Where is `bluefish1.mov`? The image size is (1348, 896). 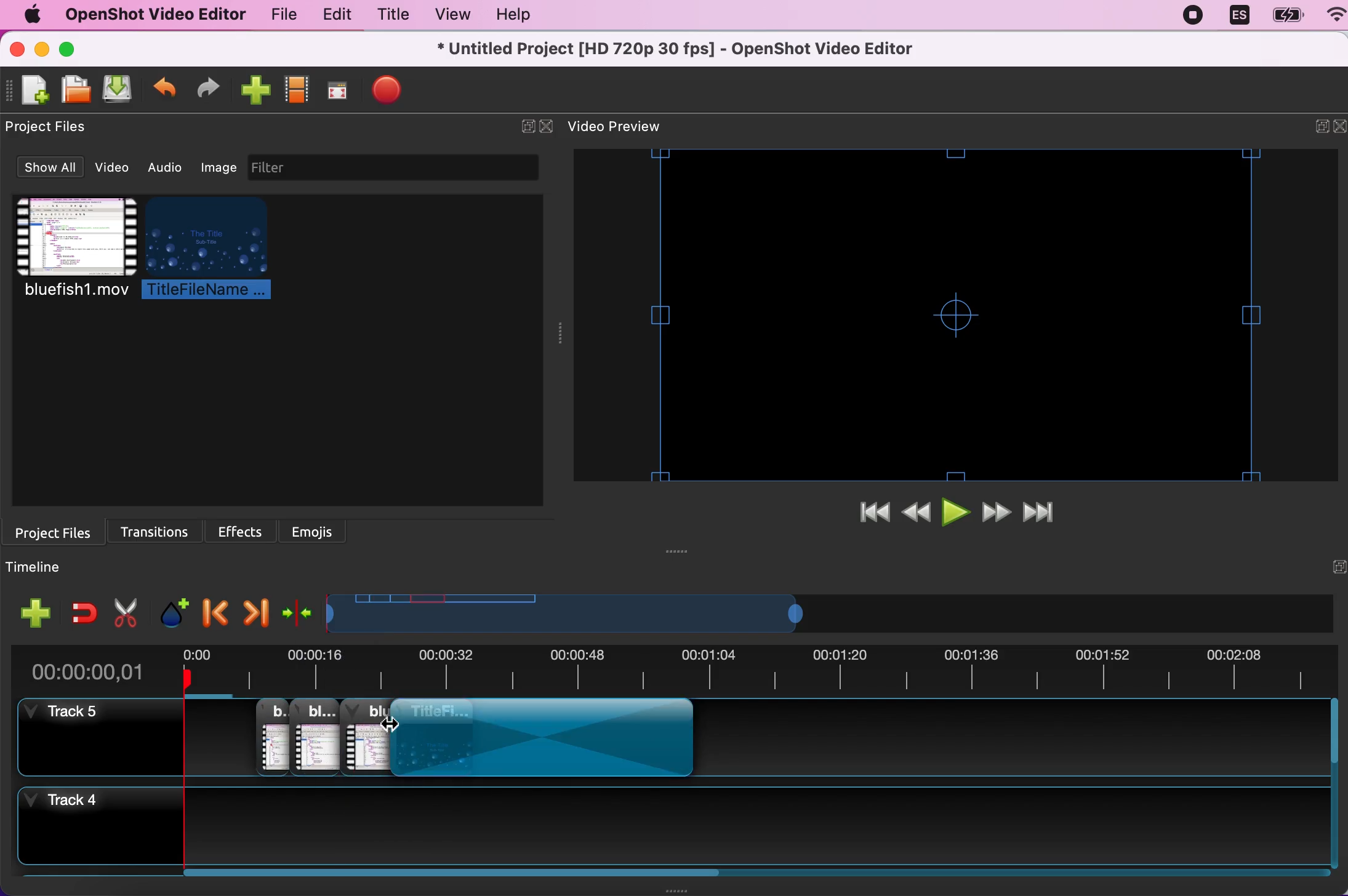 bluefish1.mov is located at coordinates (73, 249).